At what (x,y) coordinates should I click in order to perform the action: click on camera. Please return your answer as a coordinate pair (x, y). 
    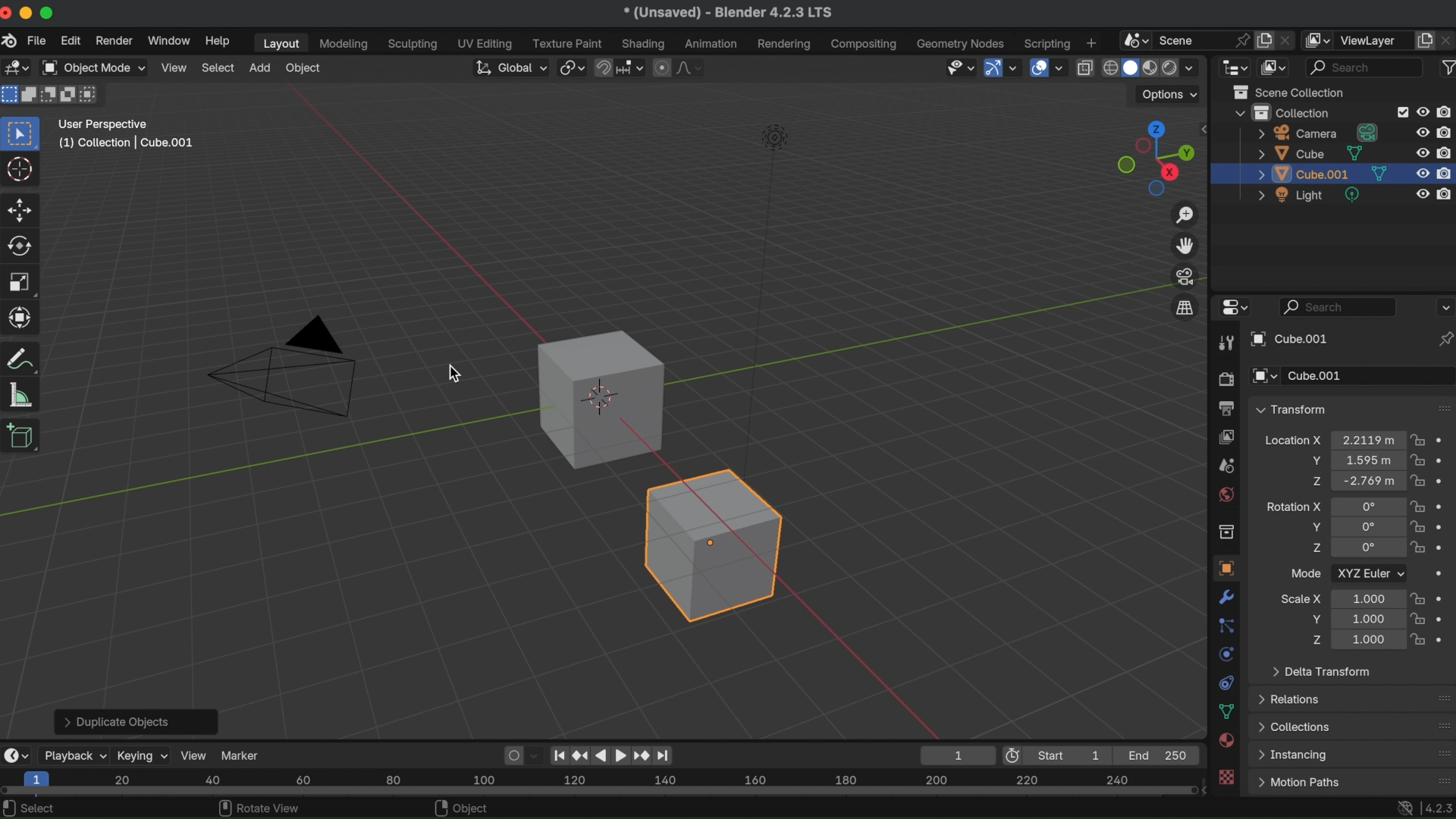
    Looking at the image, I should click on (1319, 133).